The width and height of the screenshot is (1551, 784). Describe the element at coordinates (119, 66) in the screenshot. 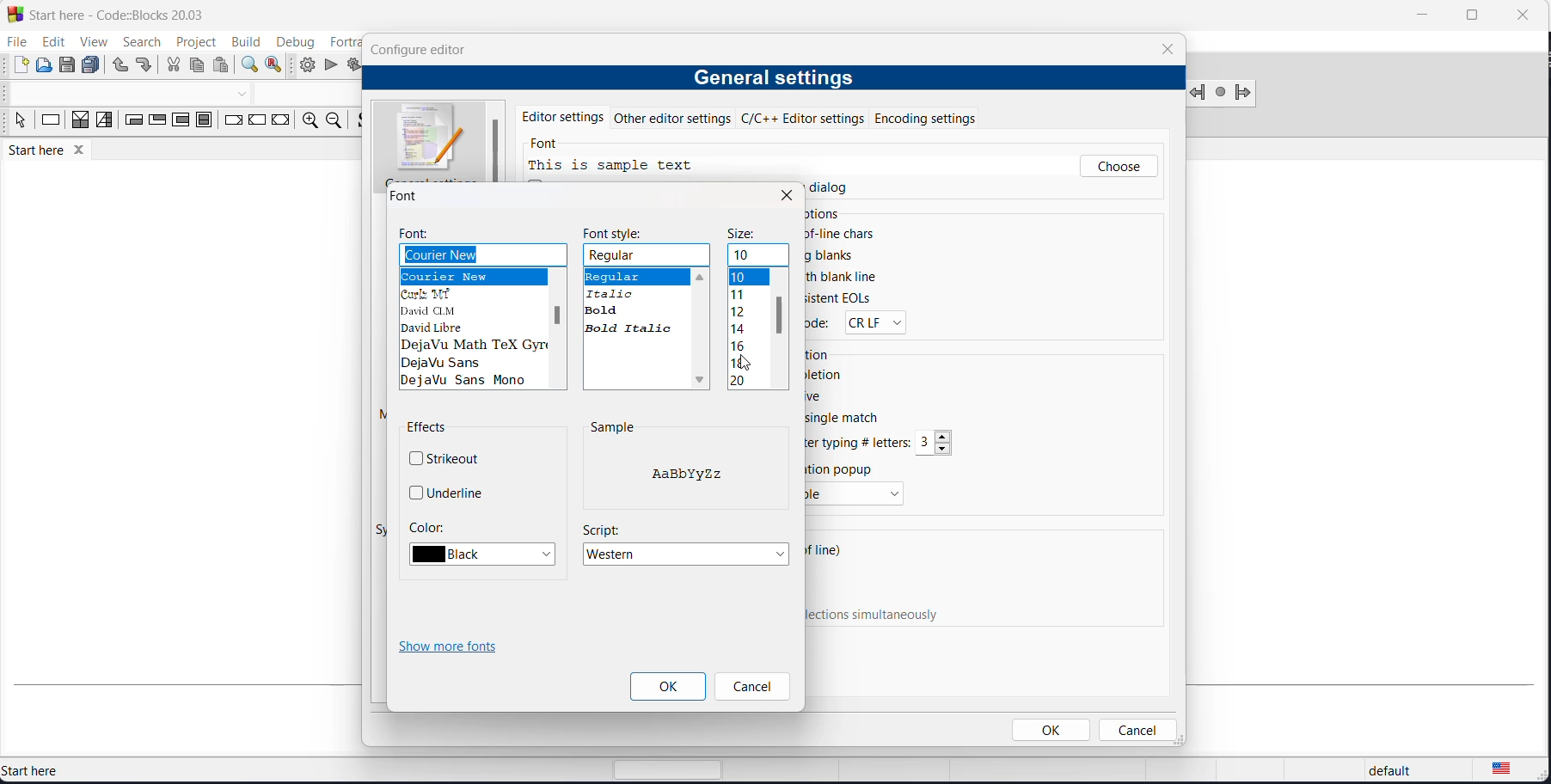

I see `undo` at that location.